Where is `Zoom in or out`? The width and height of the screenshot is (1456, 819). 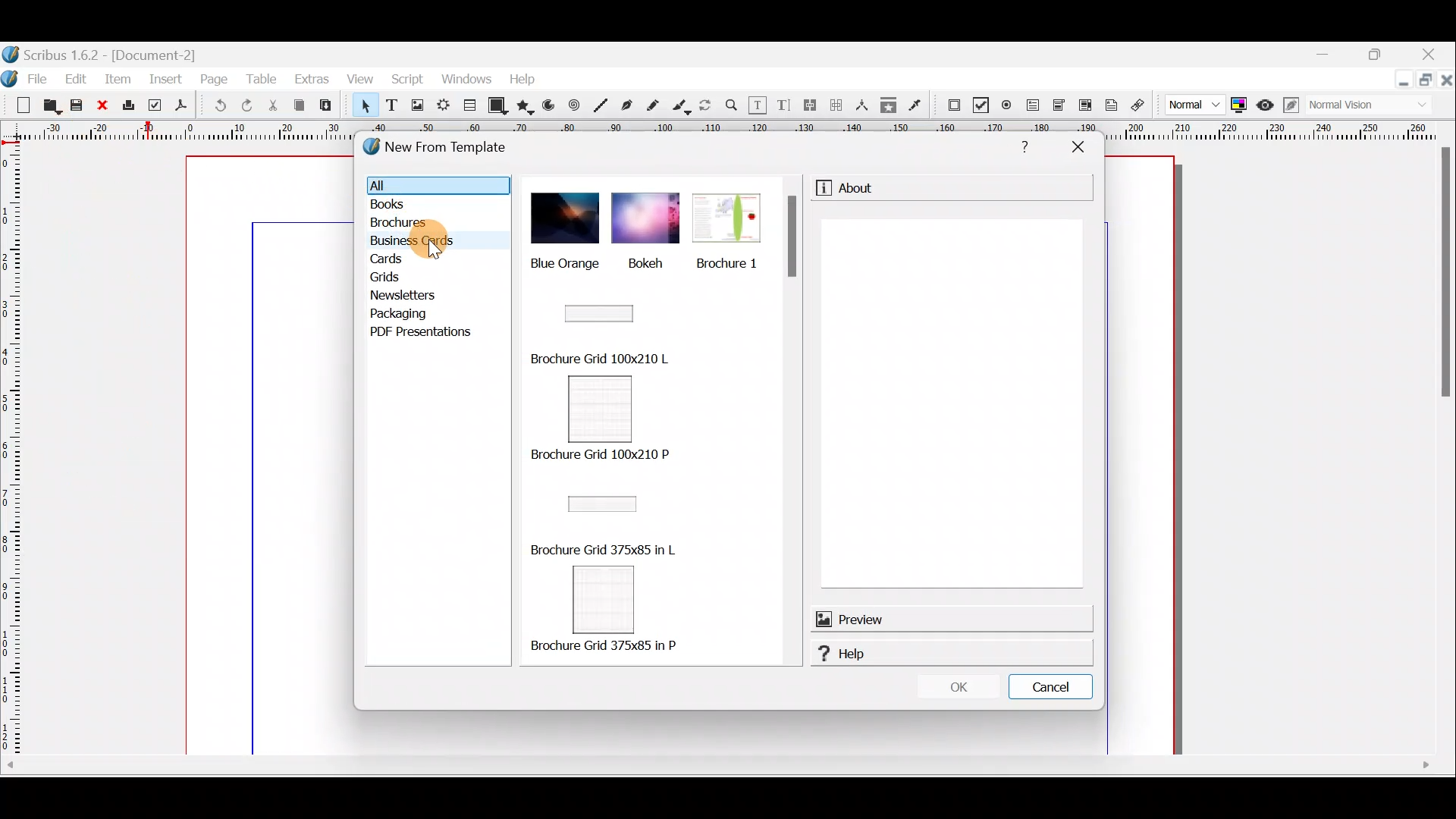
Zoom in or out is located at coordinates (733, 106).